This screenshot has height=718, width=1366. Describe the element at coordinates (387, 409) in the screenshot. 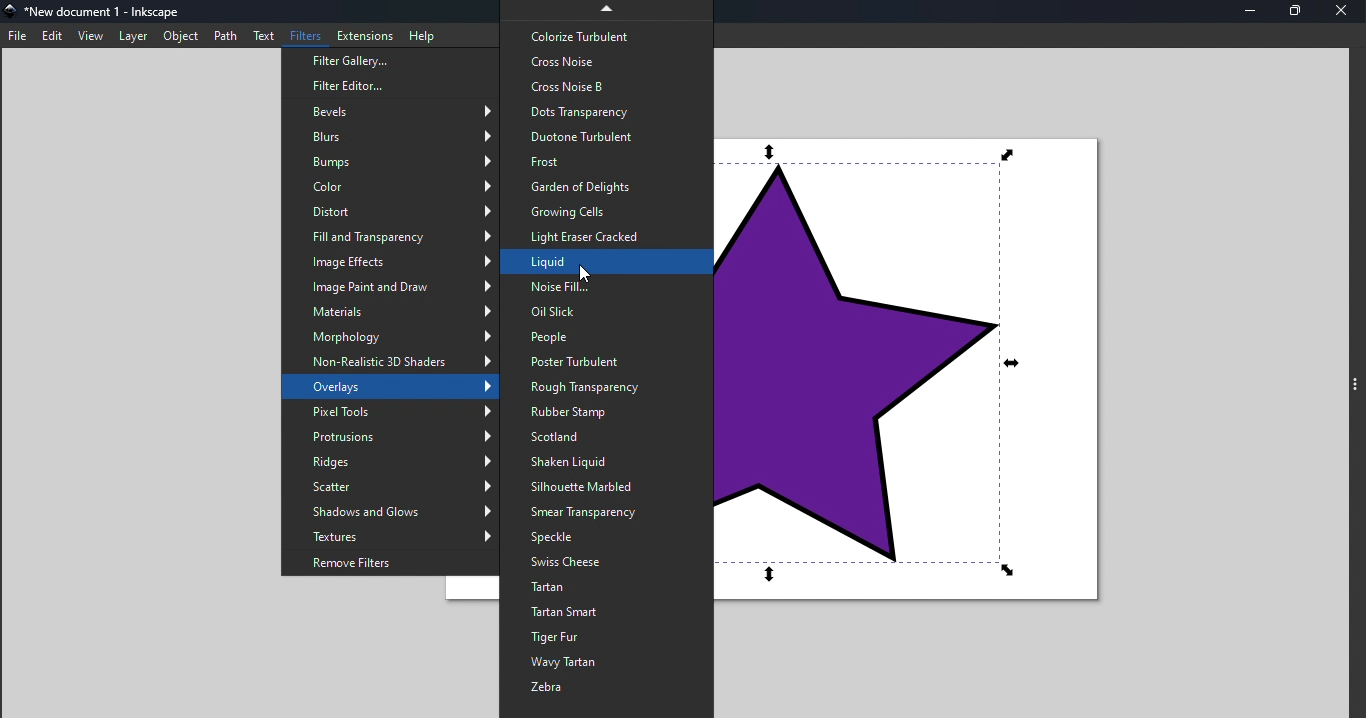

I see `Pixel tools` at that location.